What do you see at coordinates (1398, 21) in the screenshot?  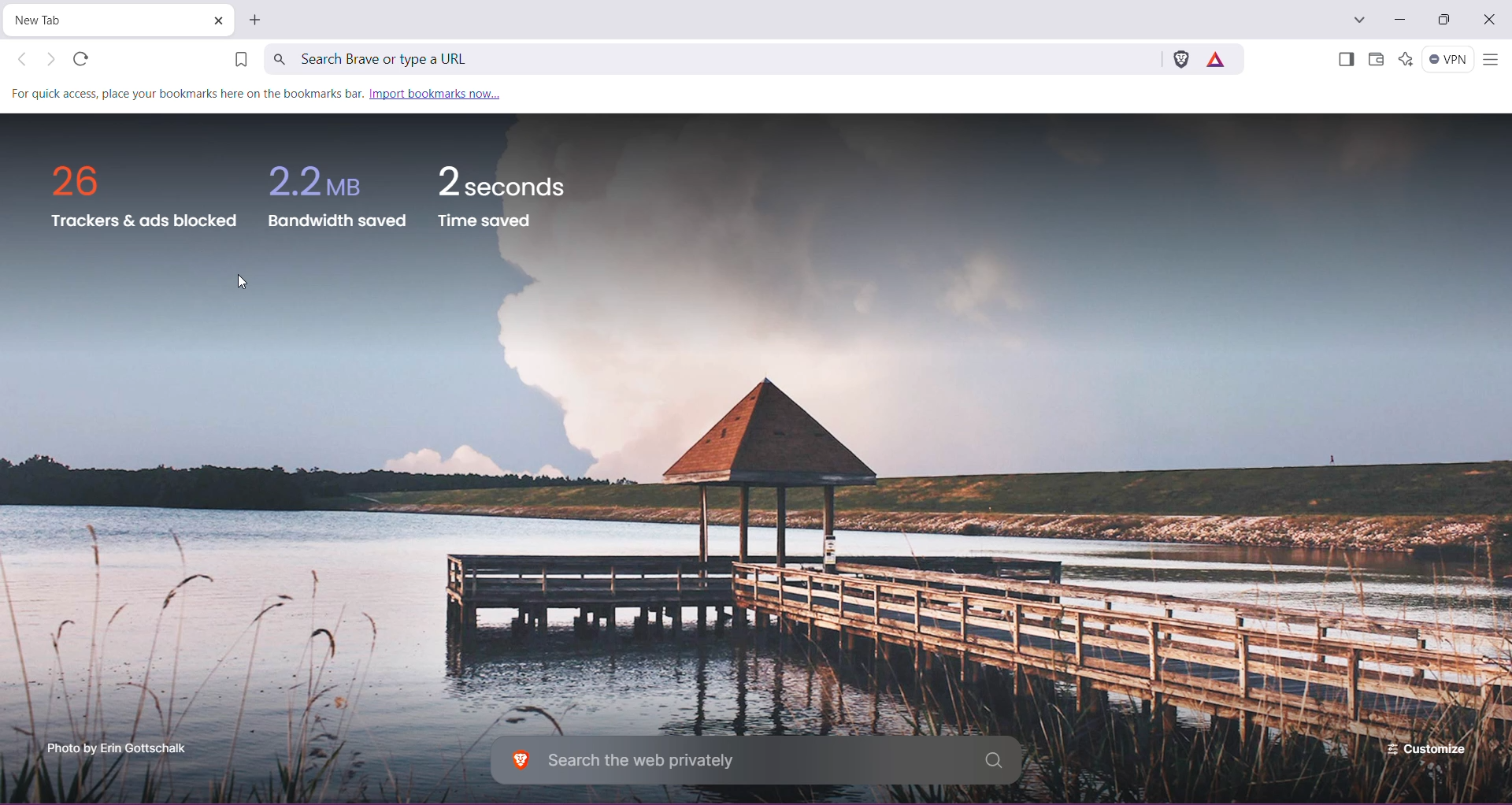 I see `Minimize` at bounding box center [1398, 21].